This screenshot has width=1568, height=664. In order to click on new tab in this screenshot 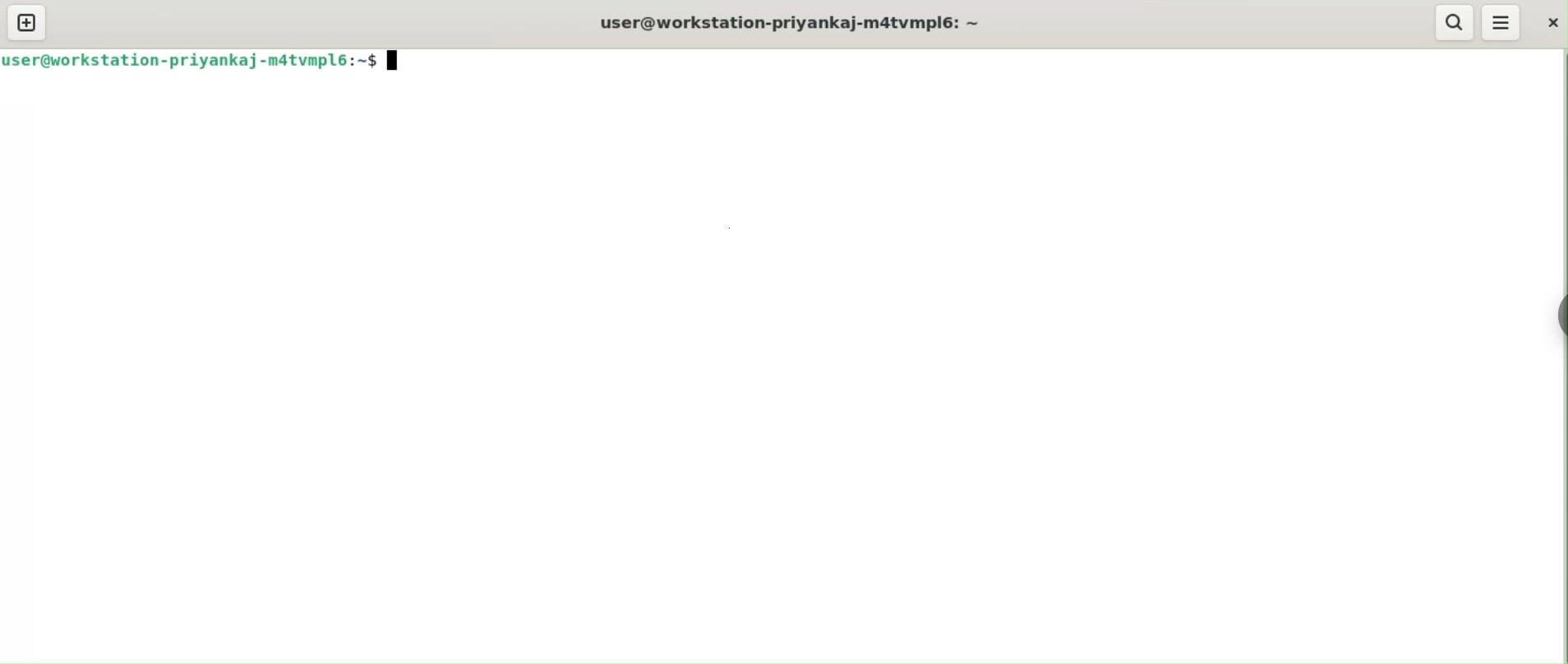, I will do `click(26, 23)`.